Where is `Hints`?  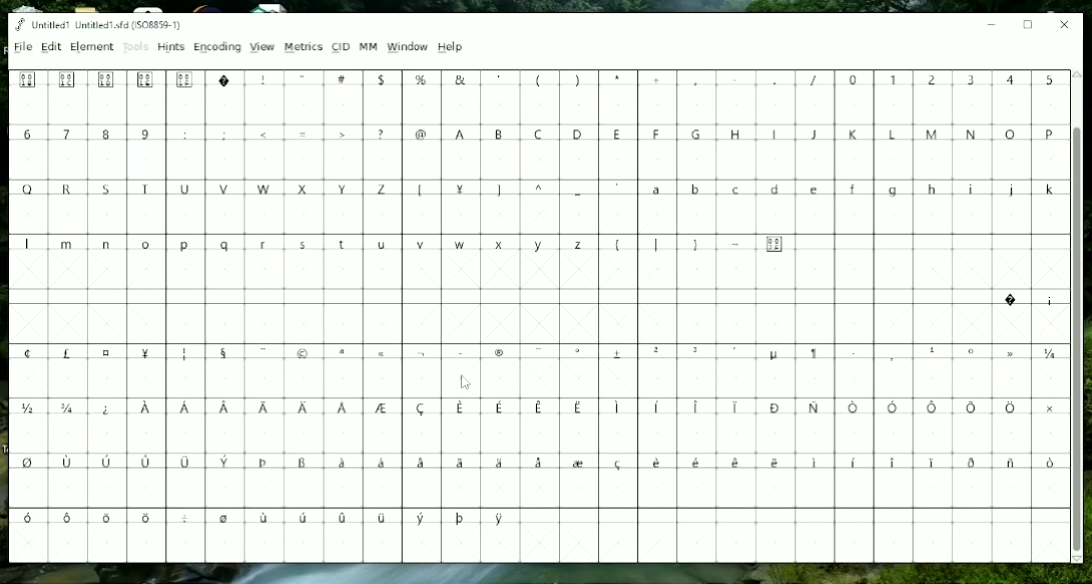
Hints is located at coordinates (171, 47).